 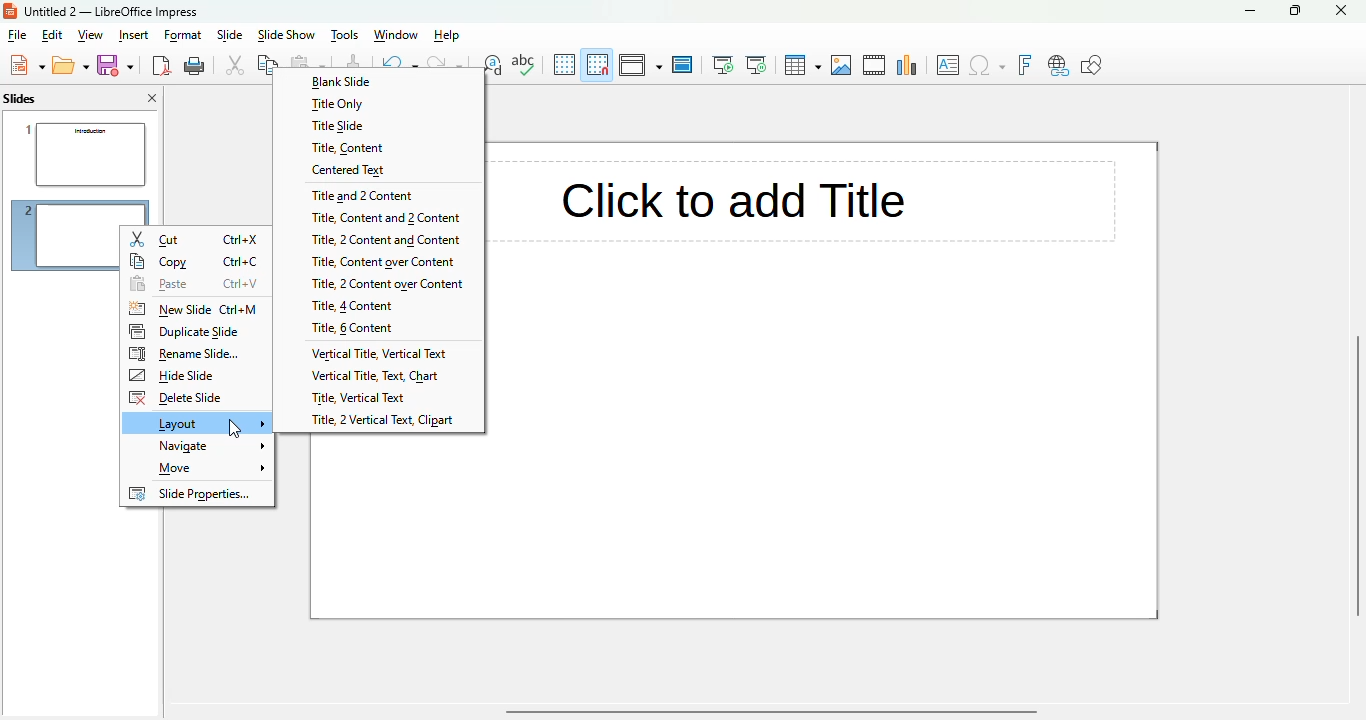 I want to click on edit, so click(x=52, y=35).